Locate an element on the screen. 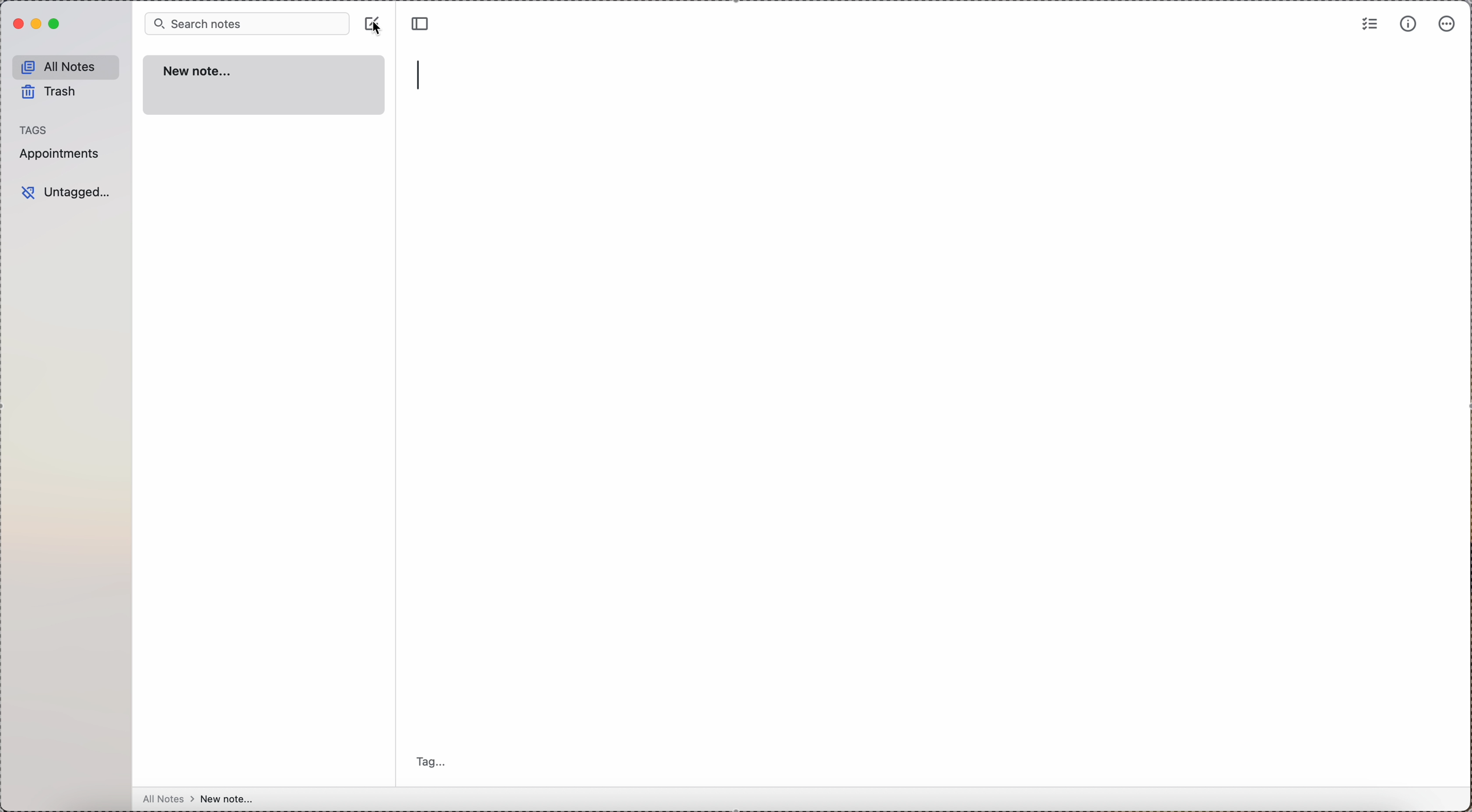  tags is located at coordinates (38, 129).